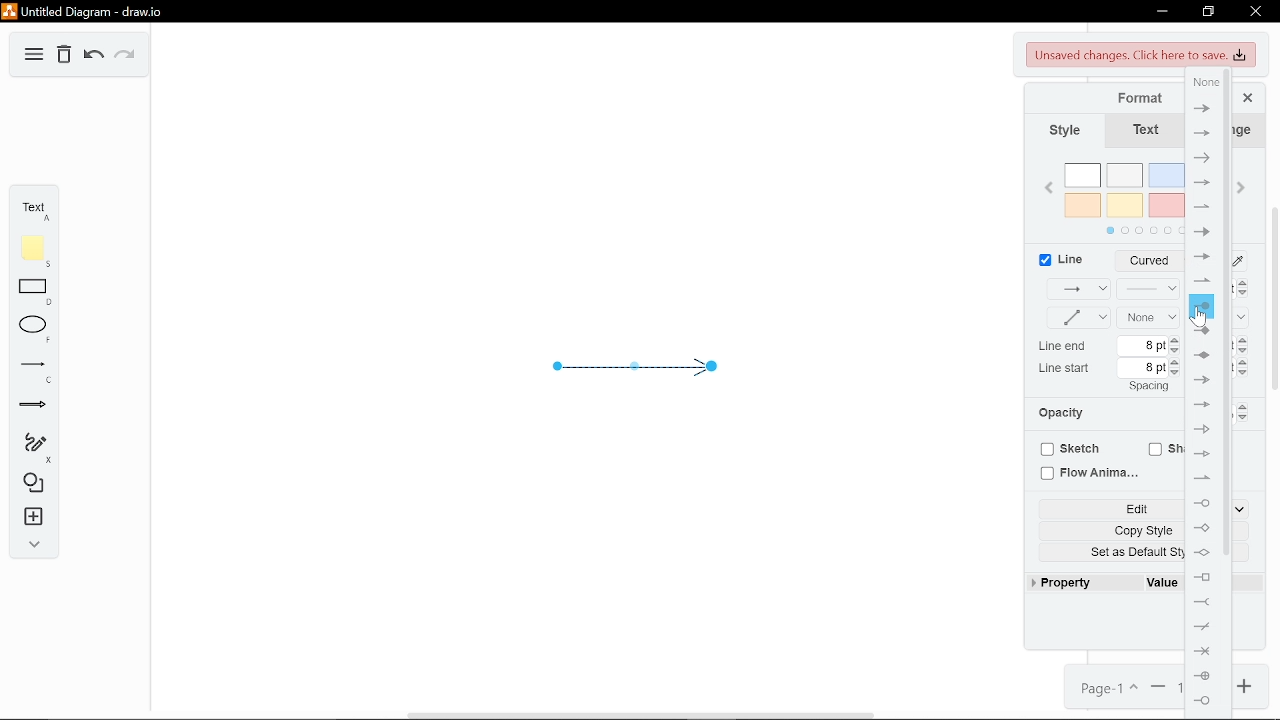 The width and height of the screenshot is (1280, 720). What do you see at coordinates (1069, 449) in the screenshot?
I see `Sketch` at bounding box center [1069, 449].